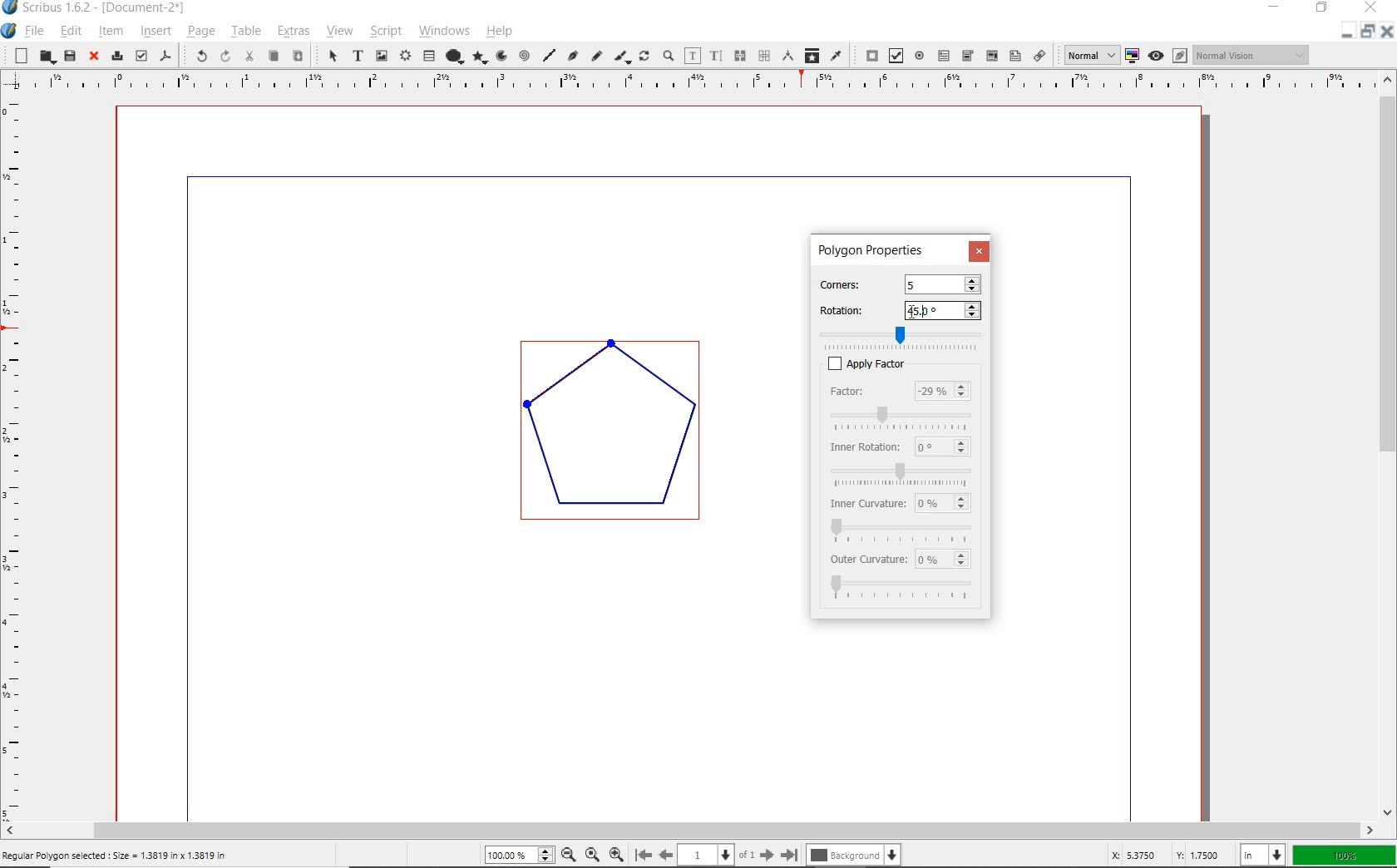 Image resolution: width=1397 pixels, height=868 pixels. Describe the element at coordinates (501, 57) in the screenshot. I see `arc` at that location.